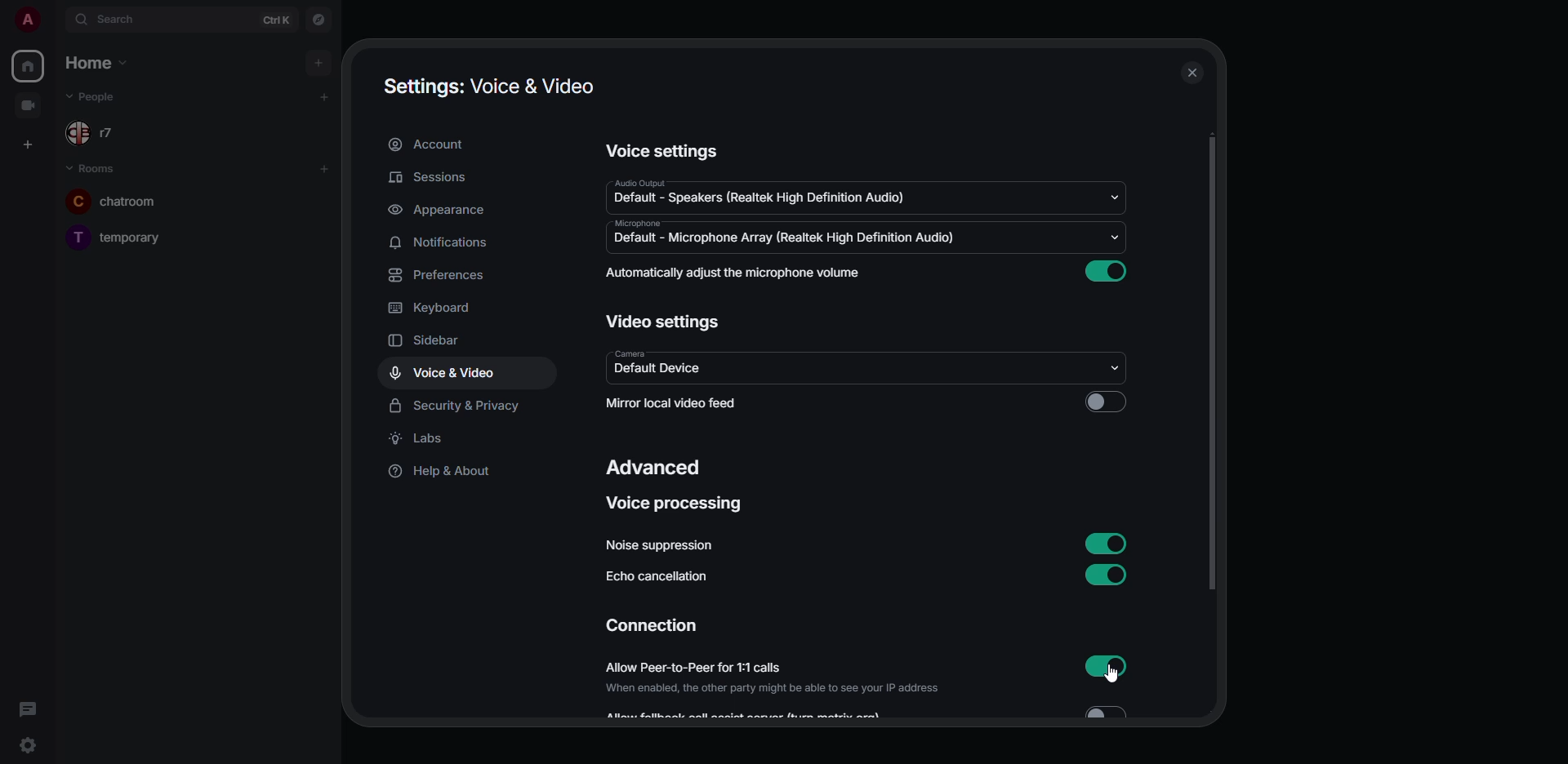 This screenshot has height=764, width=1568. What do you see at coordinates (443, 242) in the screenshot?
I see `notifications` at bounding box center [443, 242].